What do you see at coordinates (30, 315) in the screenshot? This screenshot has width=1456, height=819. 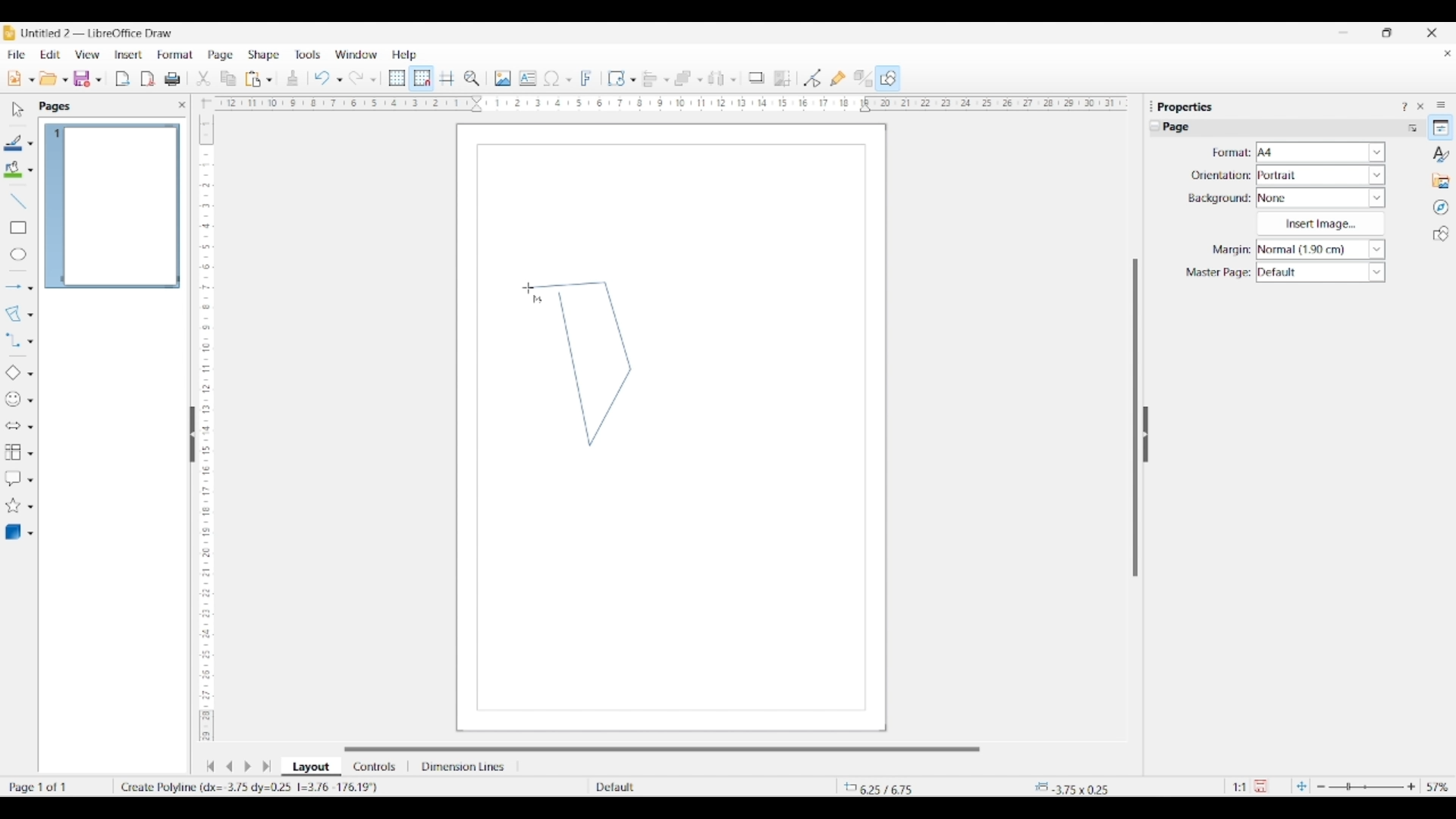 I see `Curve and polygon options` at bounding box center [30, 315].